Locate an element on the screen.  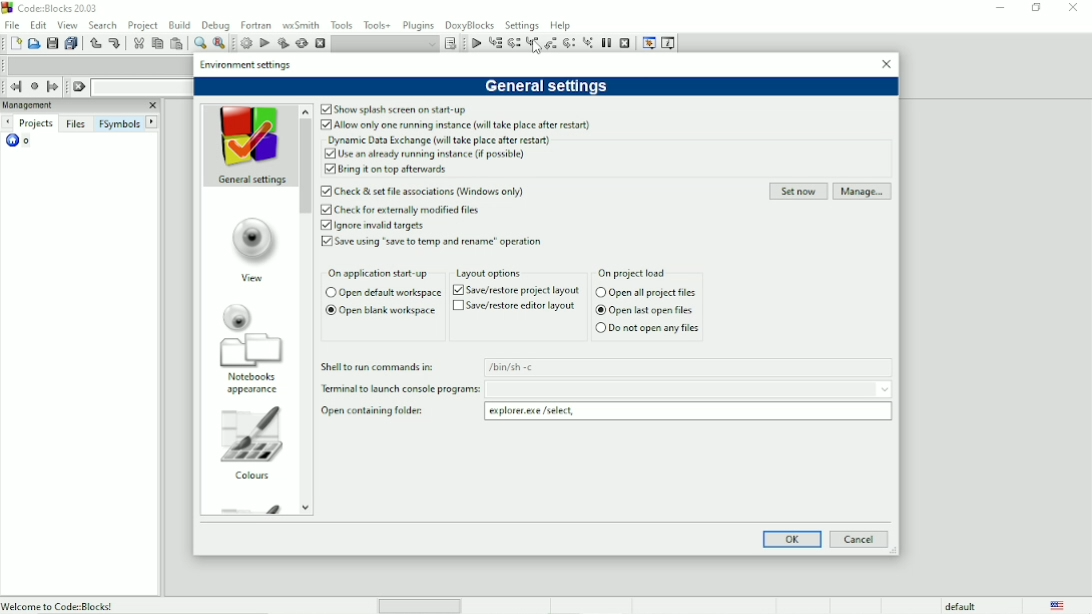
Run is located at coordinates (264, 43).